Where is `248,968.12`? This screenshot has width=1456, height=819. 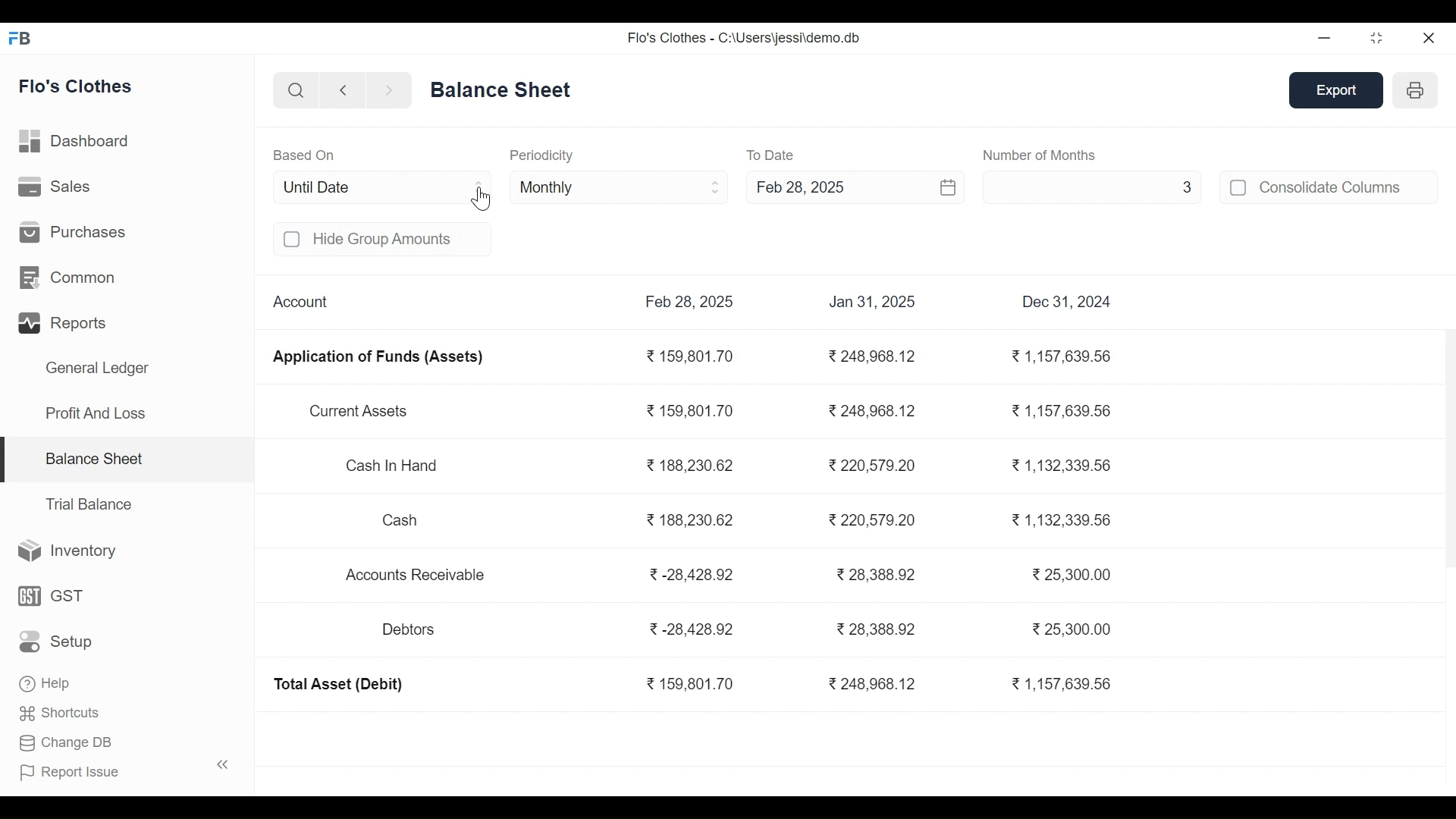 248,968.12 is located at coordinates (874, 357).